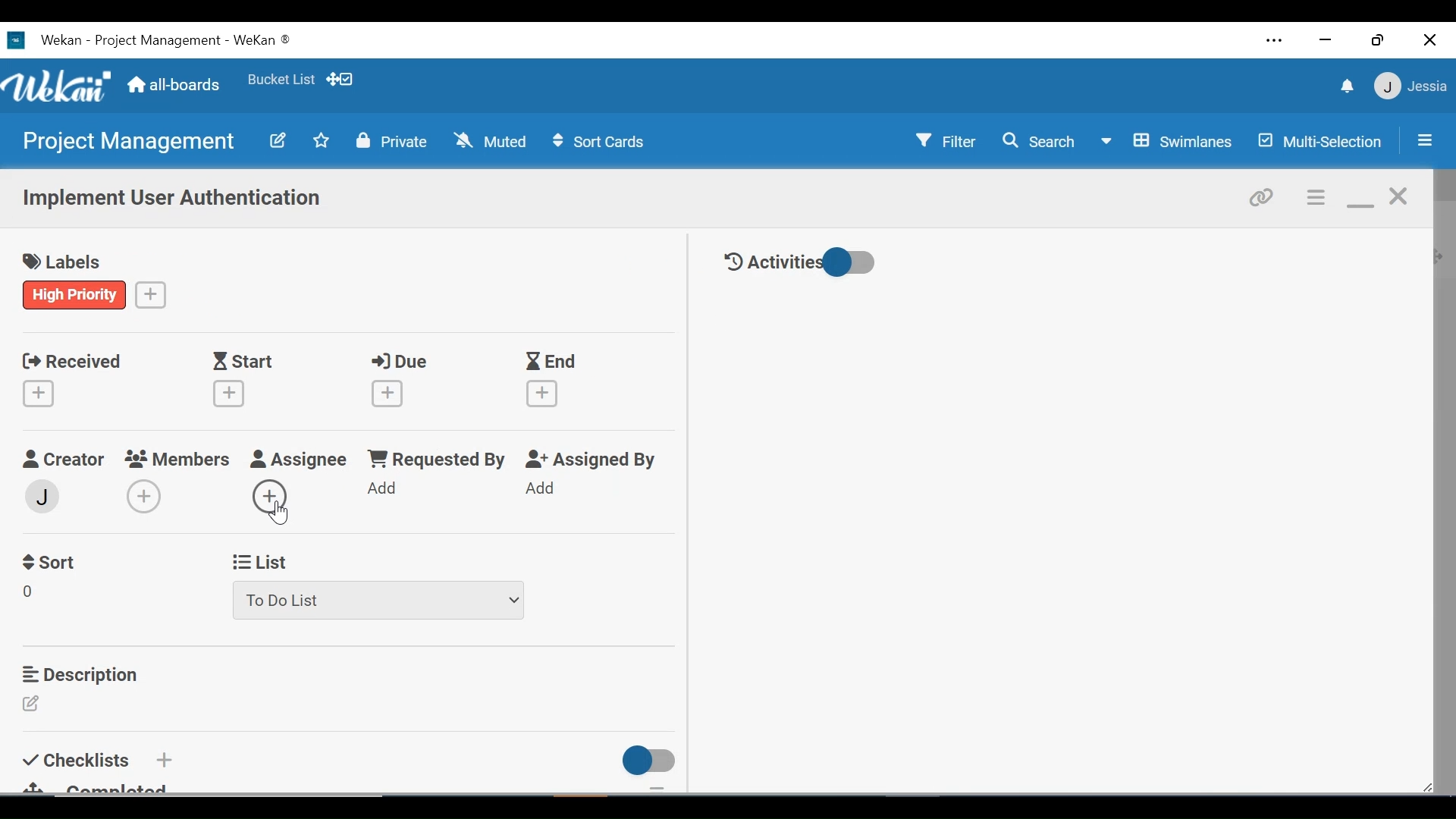 The width and height of the screenshot is (1456, 819). Describe the element at coordinates (947, 140) in the screenshot. I see `Filter` at that location.